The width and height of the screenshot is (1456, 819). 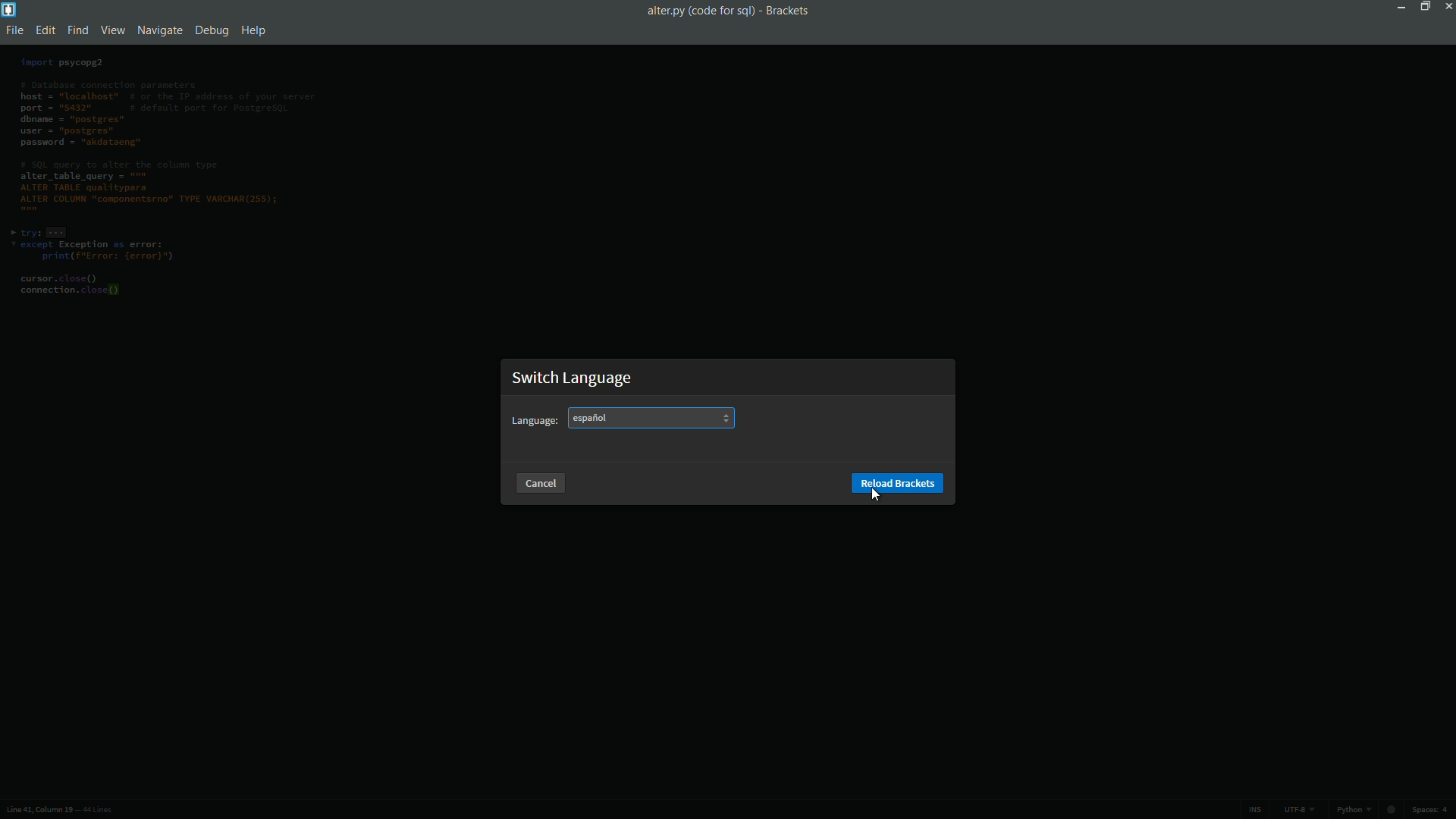 I want to click on ins, so click(x=1255, y=811).